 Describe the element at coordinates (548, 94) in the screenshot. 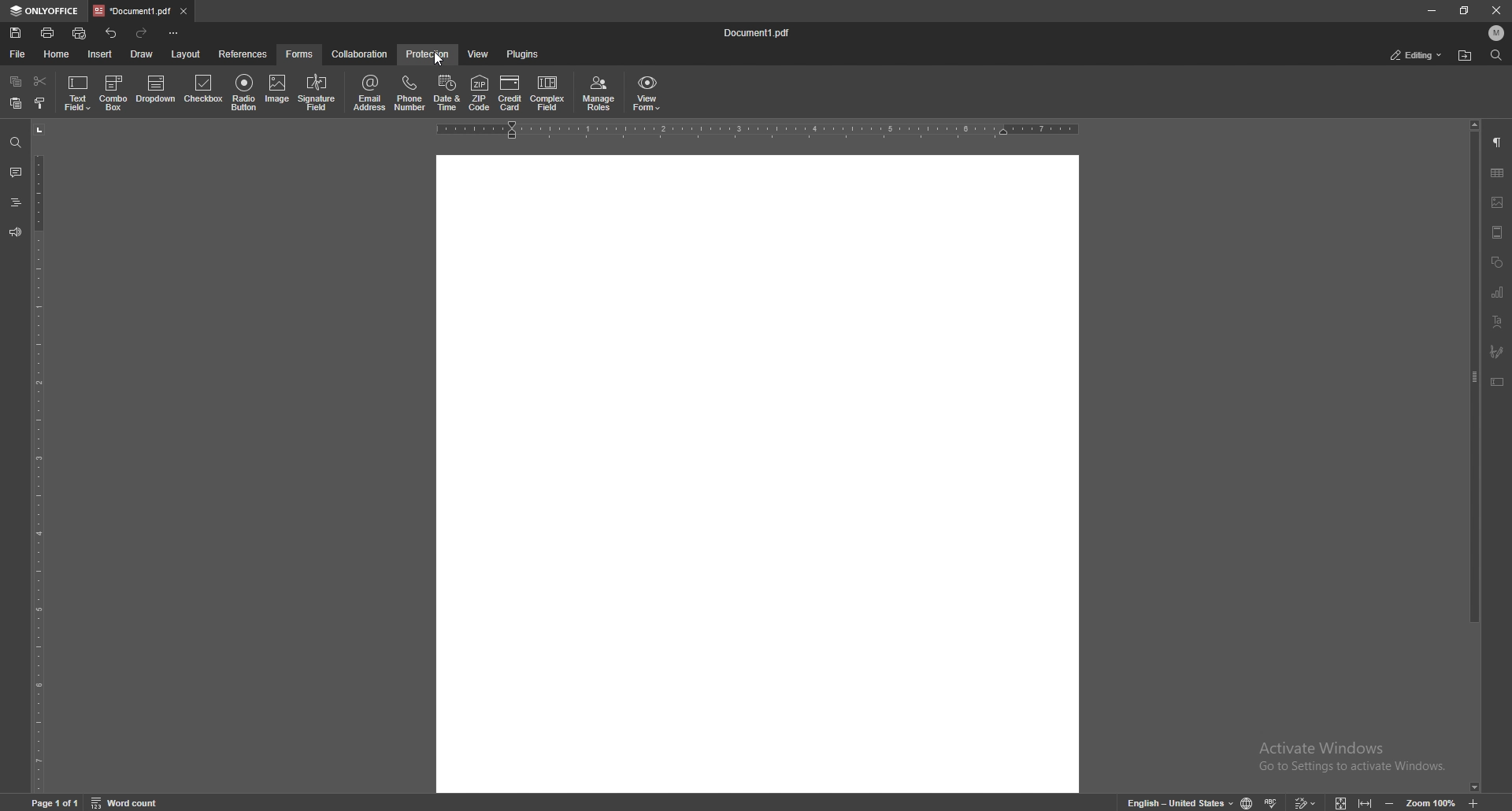

I see `complex field` at that location.